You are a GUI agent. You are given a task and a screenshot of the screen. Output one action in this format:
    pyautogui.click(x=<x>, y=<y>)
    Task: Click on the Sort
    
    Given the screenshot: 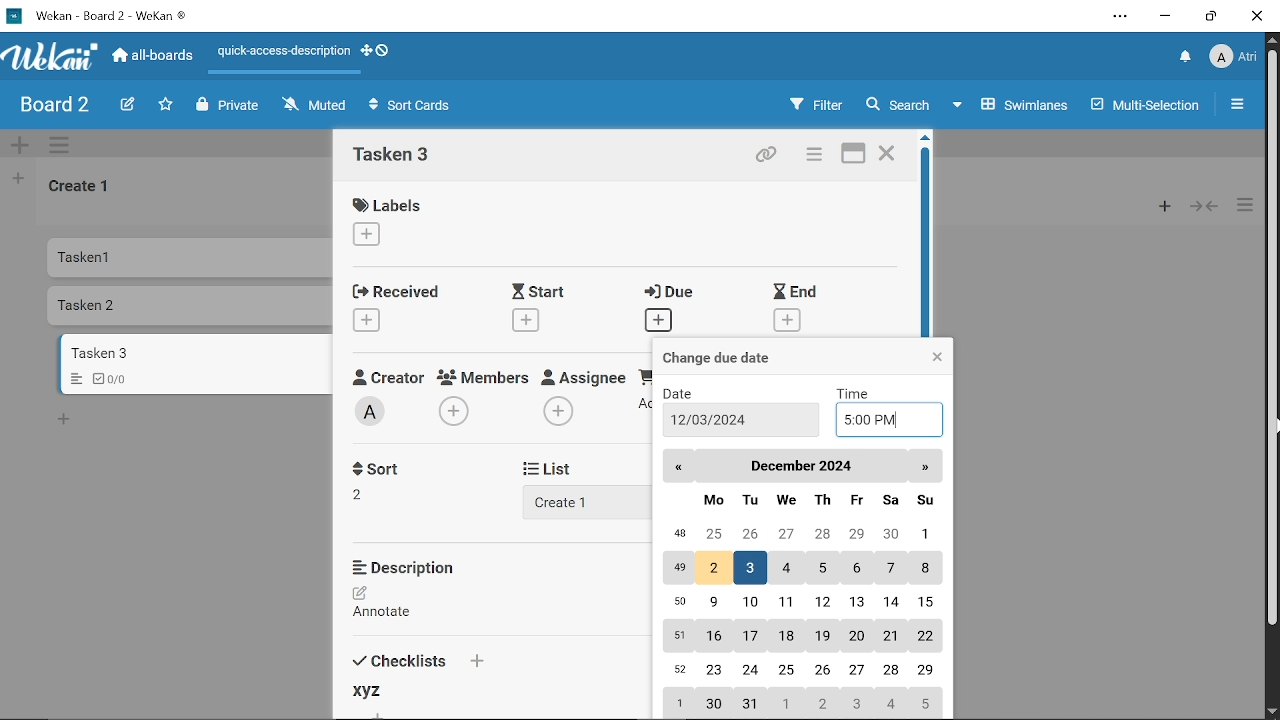 What is the action you would take?
    pyautogui.click(x=369, y=493)
    